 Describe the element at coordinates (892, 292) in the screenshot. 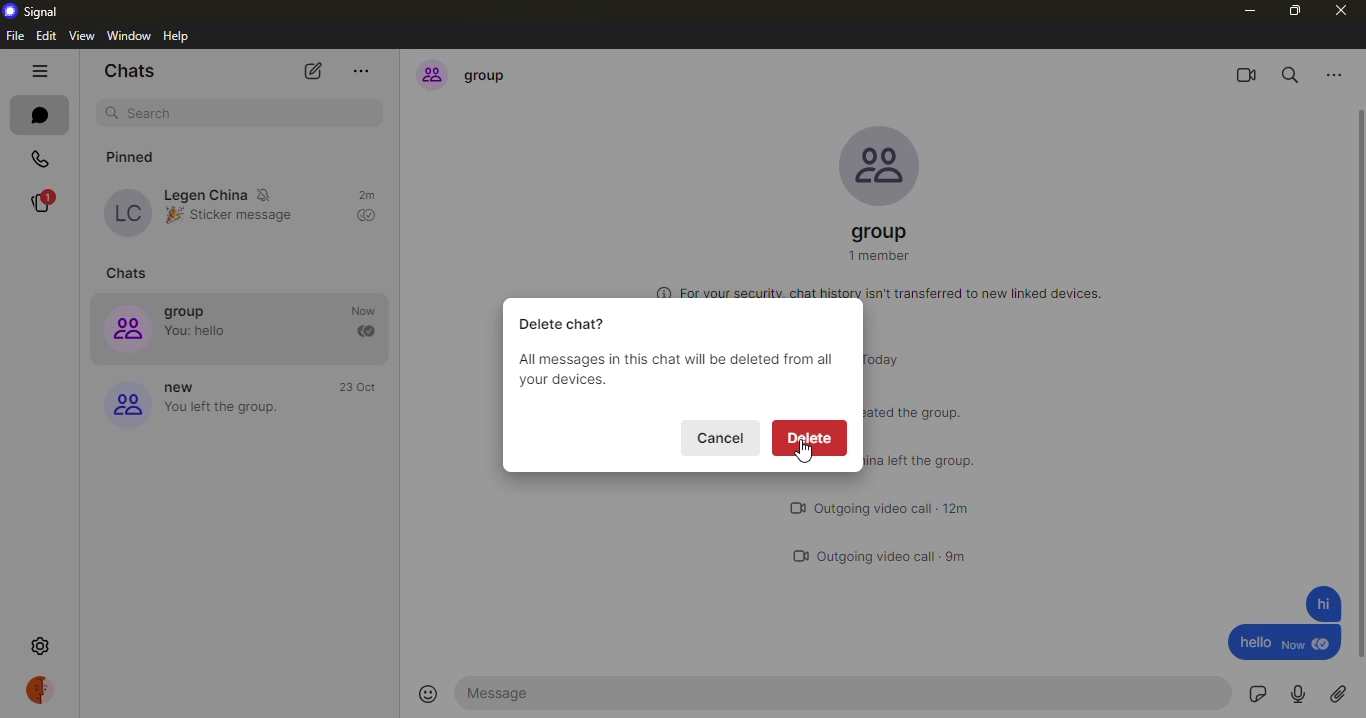

I see `For your security, chat history isn't transferred to new linked devices.` at that location.